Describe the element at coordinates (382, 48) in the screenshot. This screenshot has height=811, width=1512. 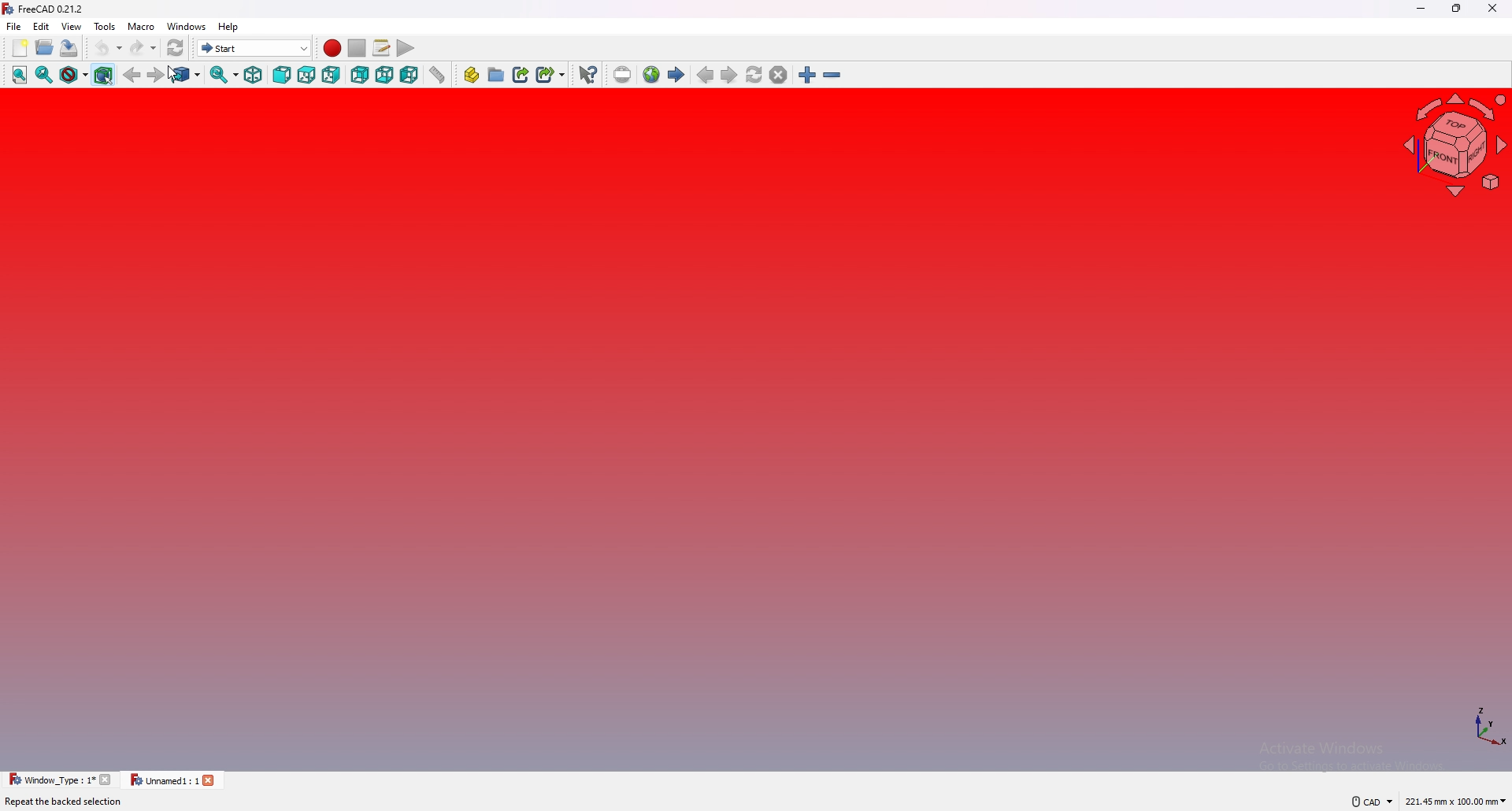
I see `macros` at that location.